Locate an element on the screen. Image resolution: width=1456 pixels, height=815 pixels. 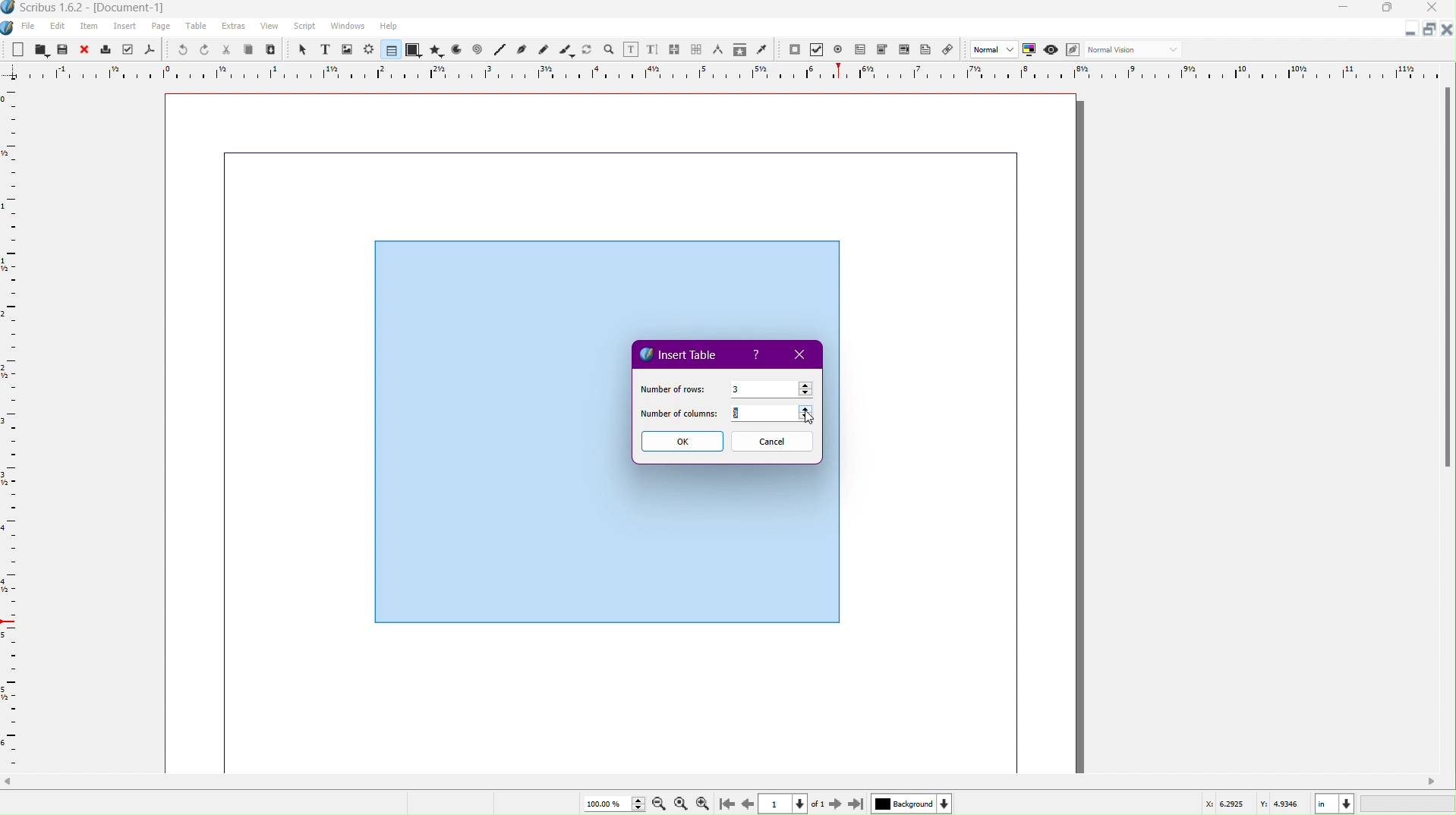
PDF Radio Button is located at coordinates (841, 49).